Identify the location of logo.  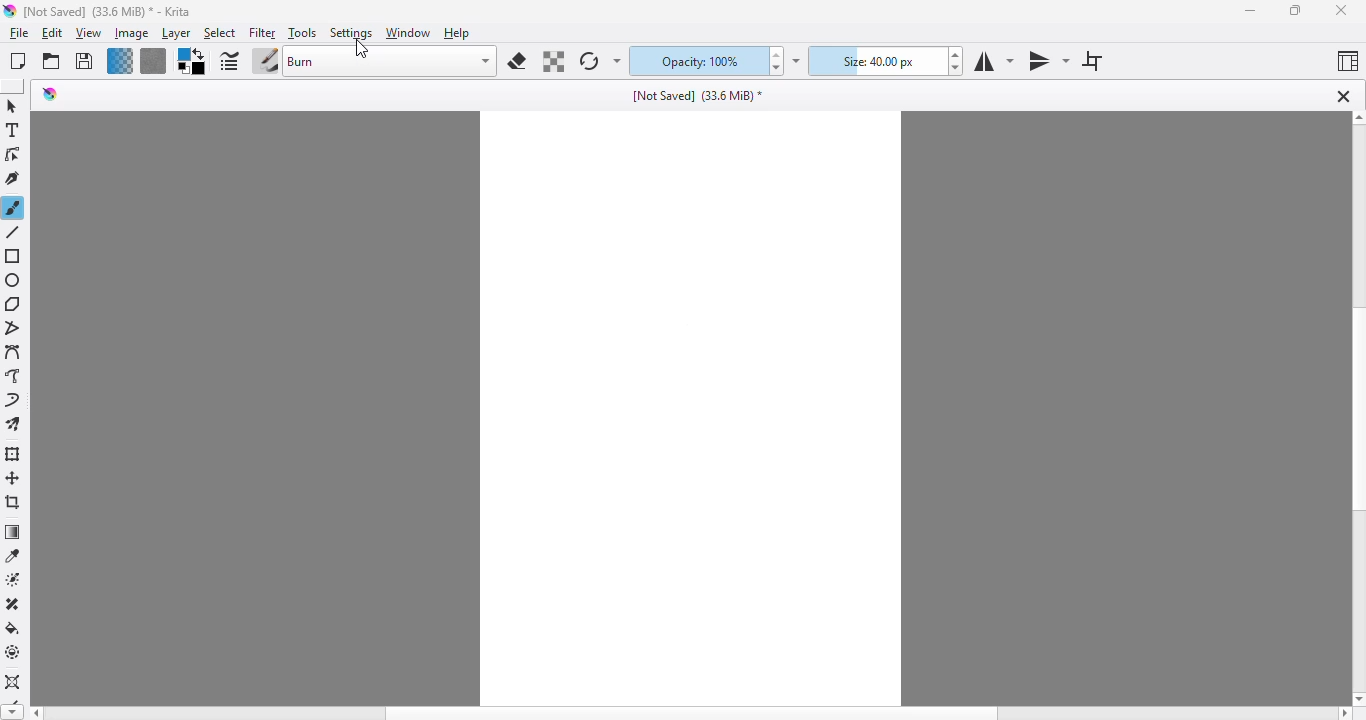
(9, 11).